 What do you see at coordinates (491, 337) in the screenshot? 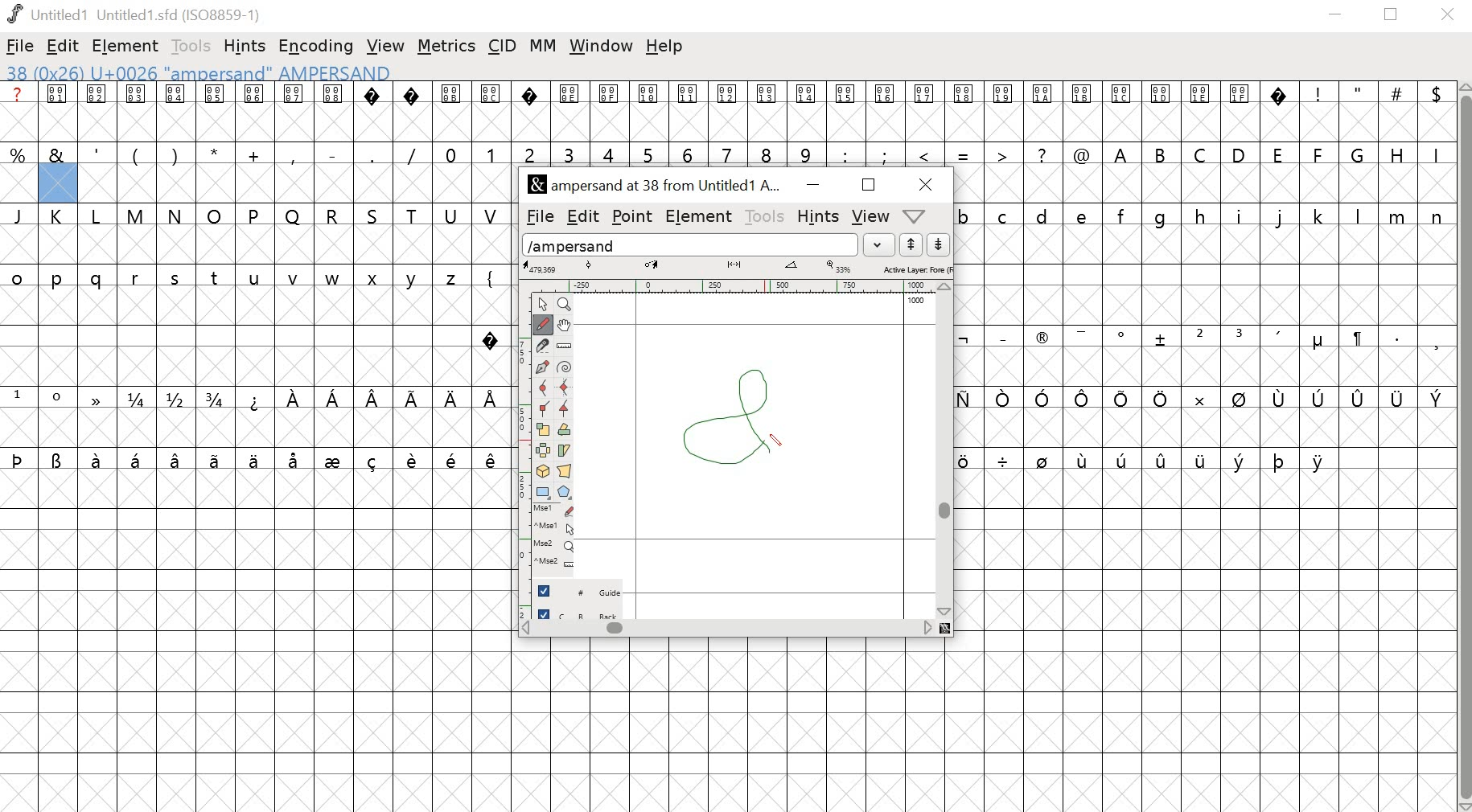
I see `?` at bounding box center [491, 337].